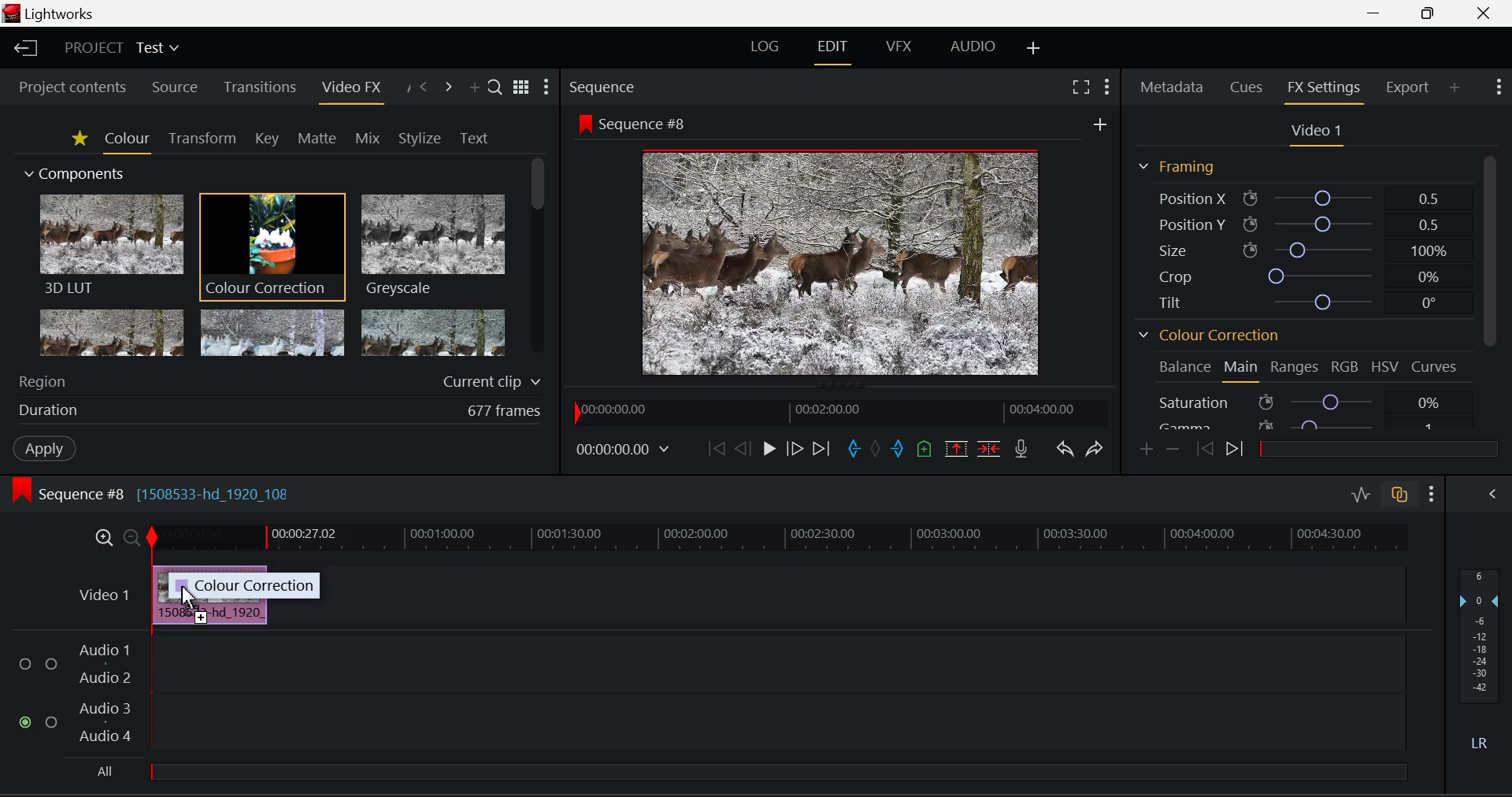  What do you see at coordinates (1299, 198) in the screenshot?
I see `Position X` at bounding box center [1299, 198].